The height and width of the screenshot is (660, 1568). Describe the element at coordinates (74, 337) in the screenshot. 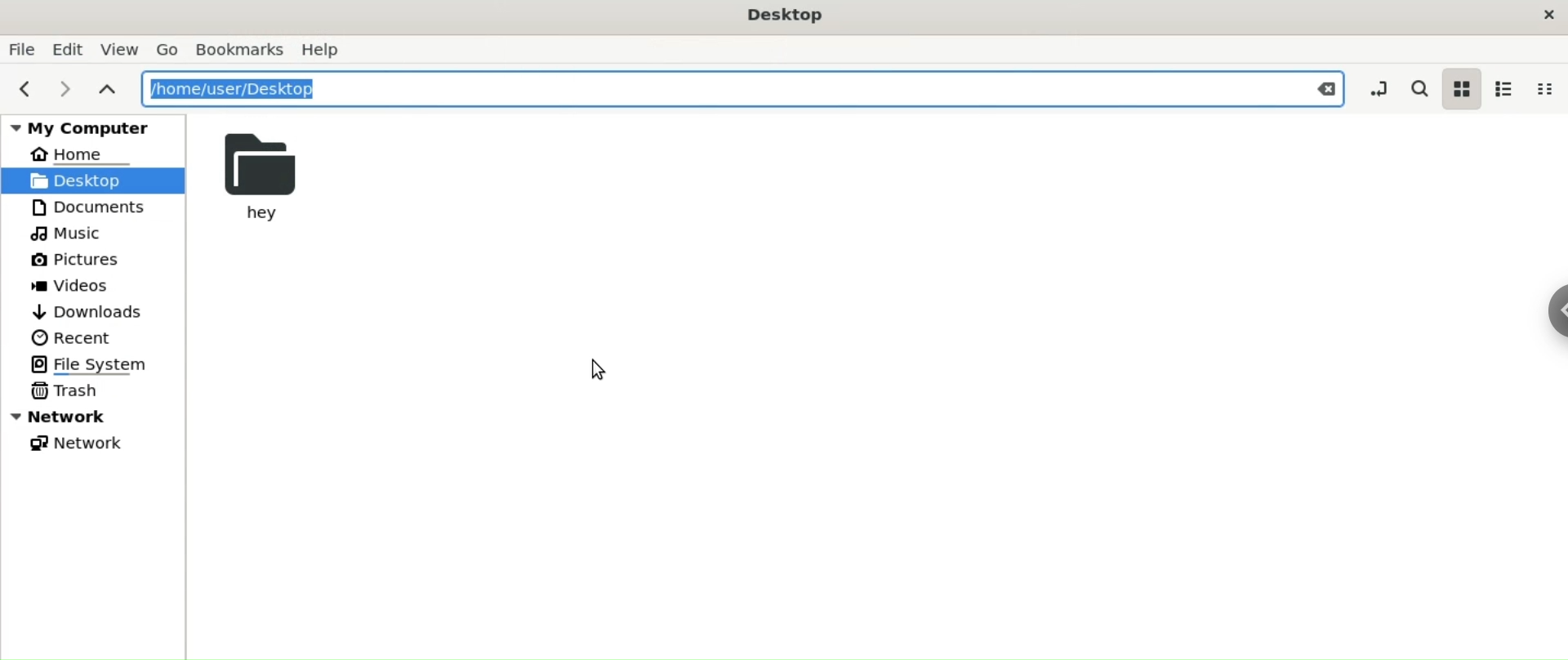

I see `Recent` at that location.